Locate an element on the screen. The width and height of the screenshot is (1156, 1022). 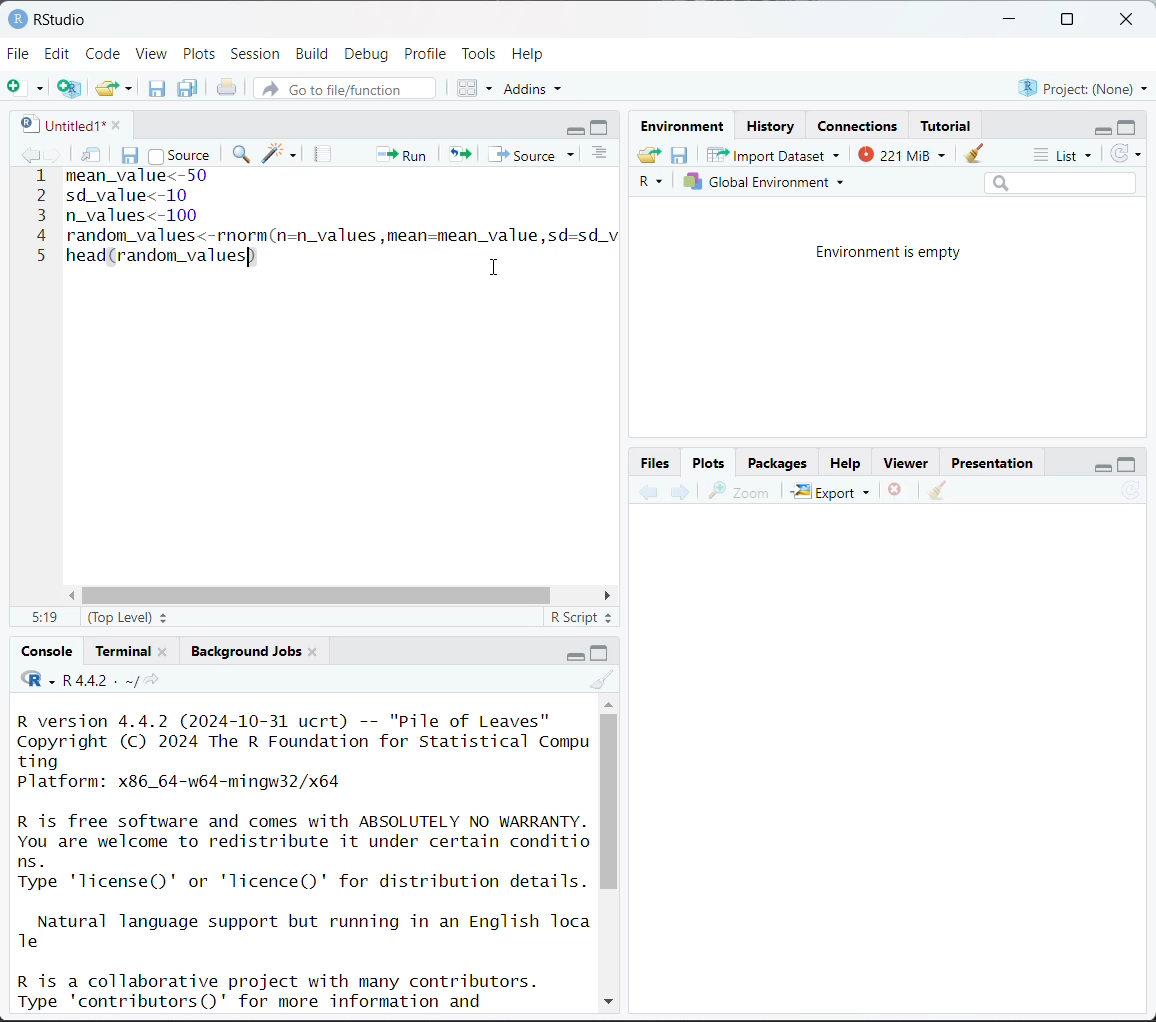
Help is located at coordinates (530, 53).